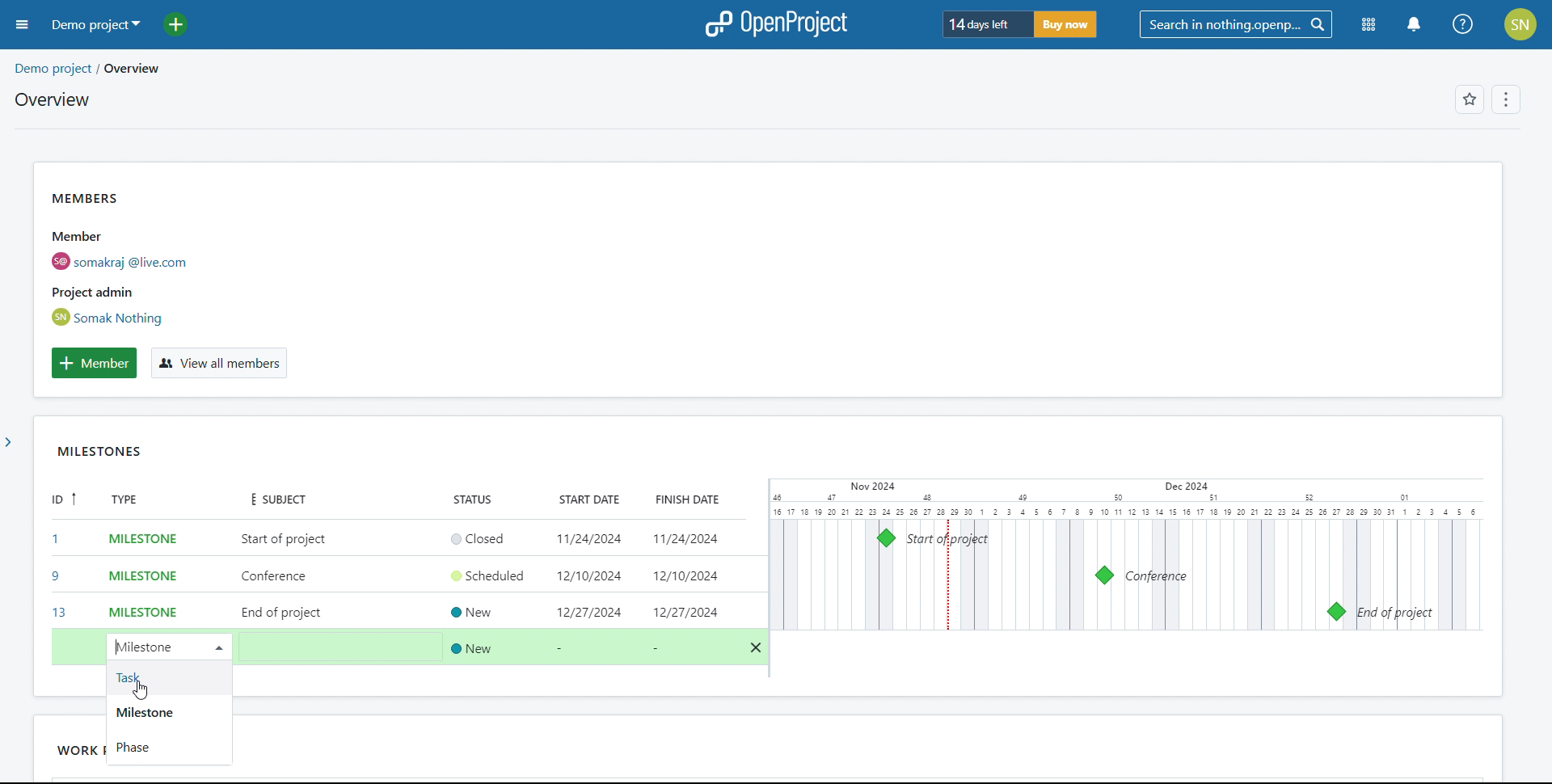  What do you see at coordinates (217, 364) in the screenshot?
I see `view all members` at bounding box center [217, 364].